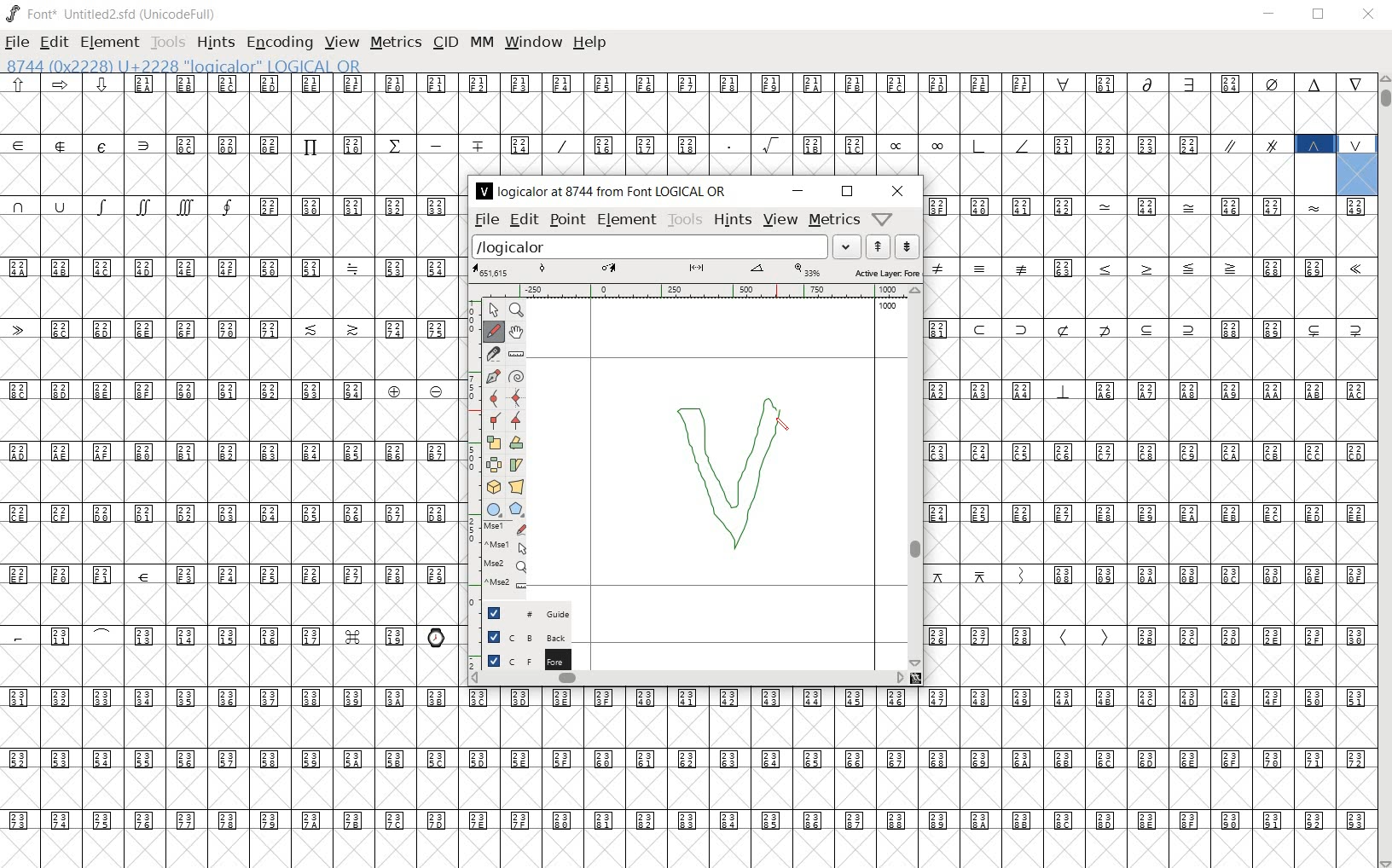 The image size is (1392, 868). What do you see at coordinates (444, 42) in the screenshot?
I see `cid` at bounding box center [444, 42].